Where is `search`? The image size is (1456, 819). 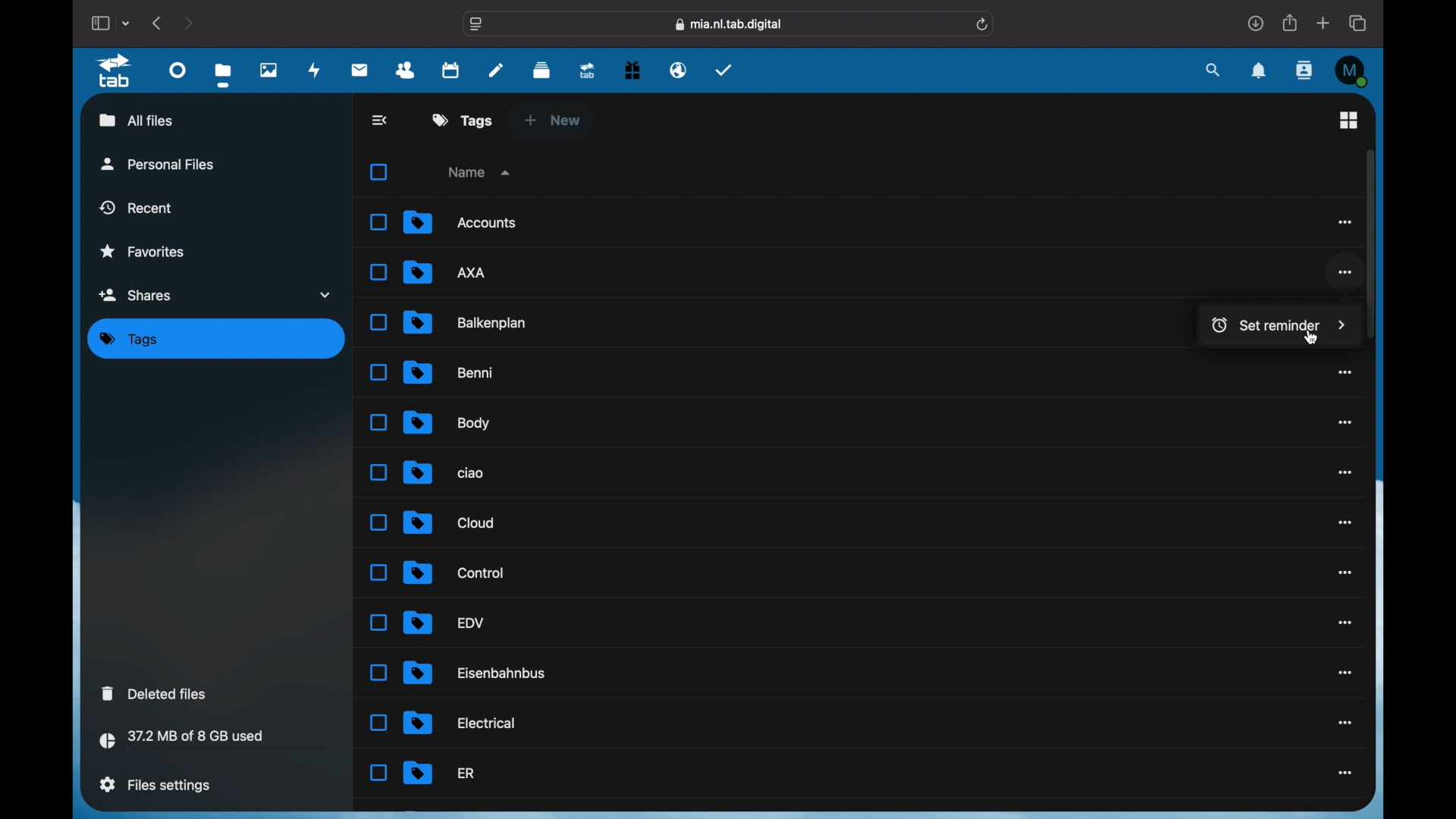
search is located at coordinates (1213, 70).